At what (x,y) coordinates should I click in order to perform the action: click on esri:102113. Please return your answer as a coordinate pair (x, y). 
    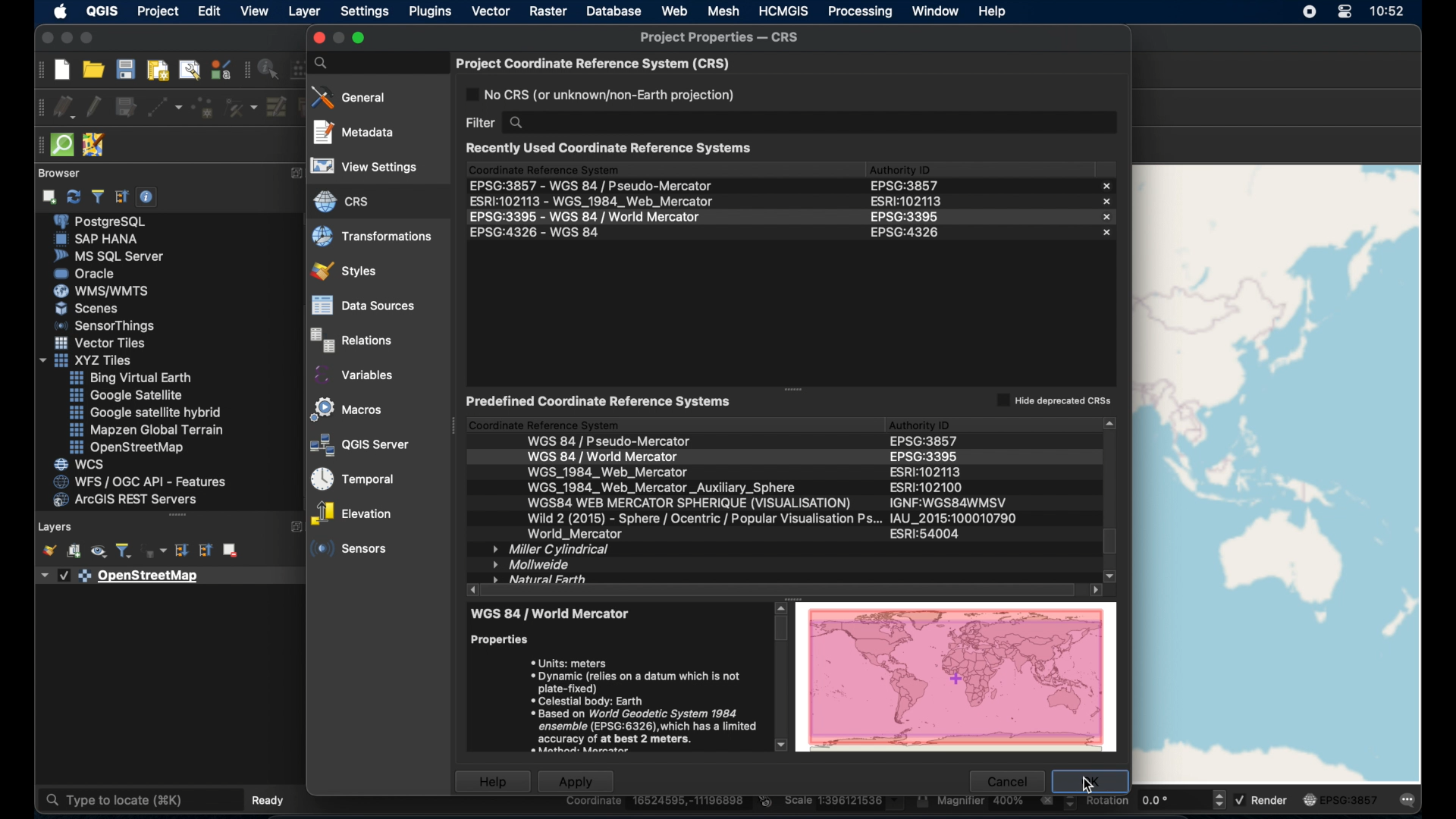
    Looking at the image, I should click on (908, 199).